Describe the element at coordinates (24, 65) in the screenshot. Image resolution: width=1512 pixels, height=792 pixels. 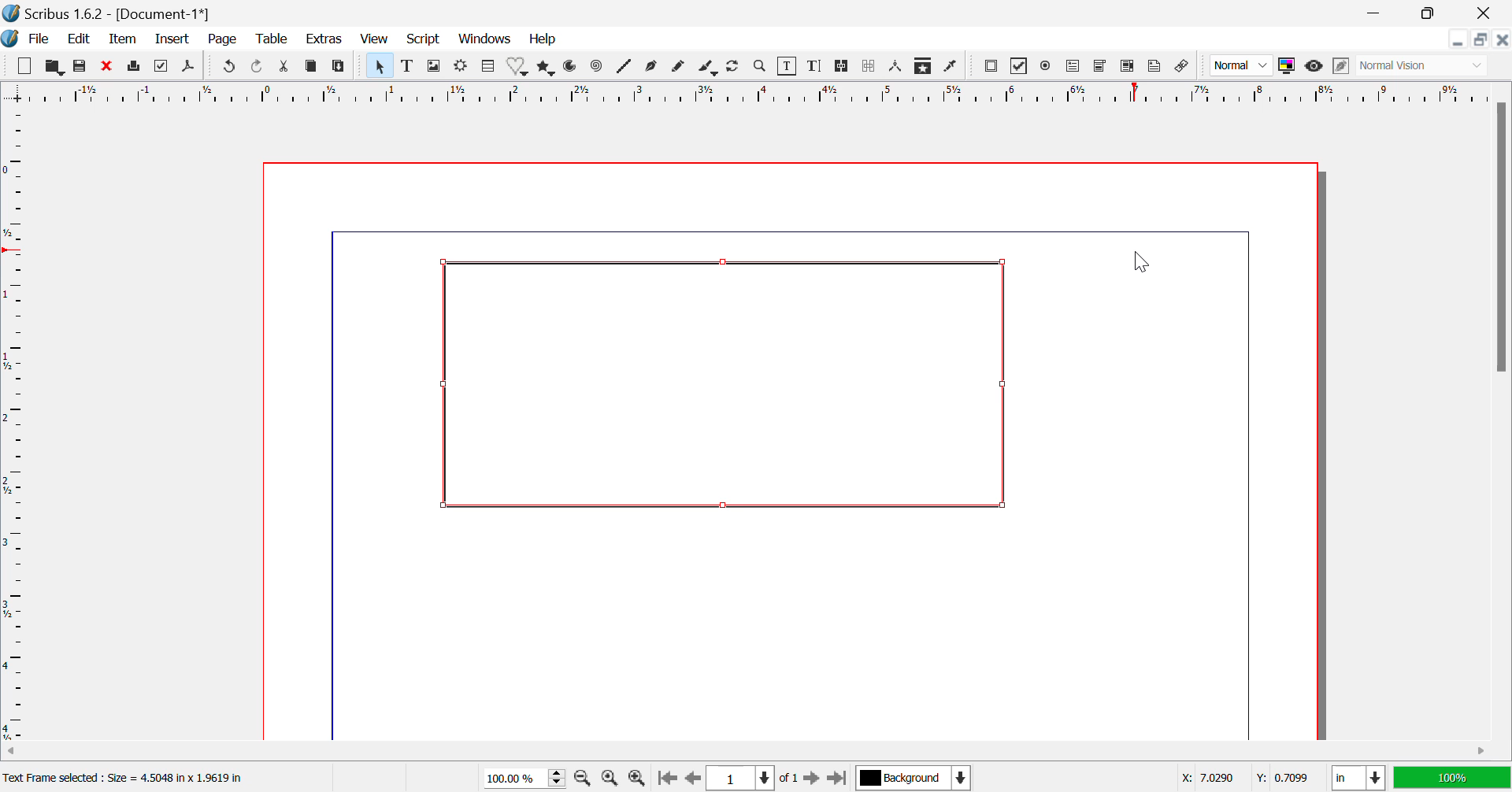
I see `New` at that location.